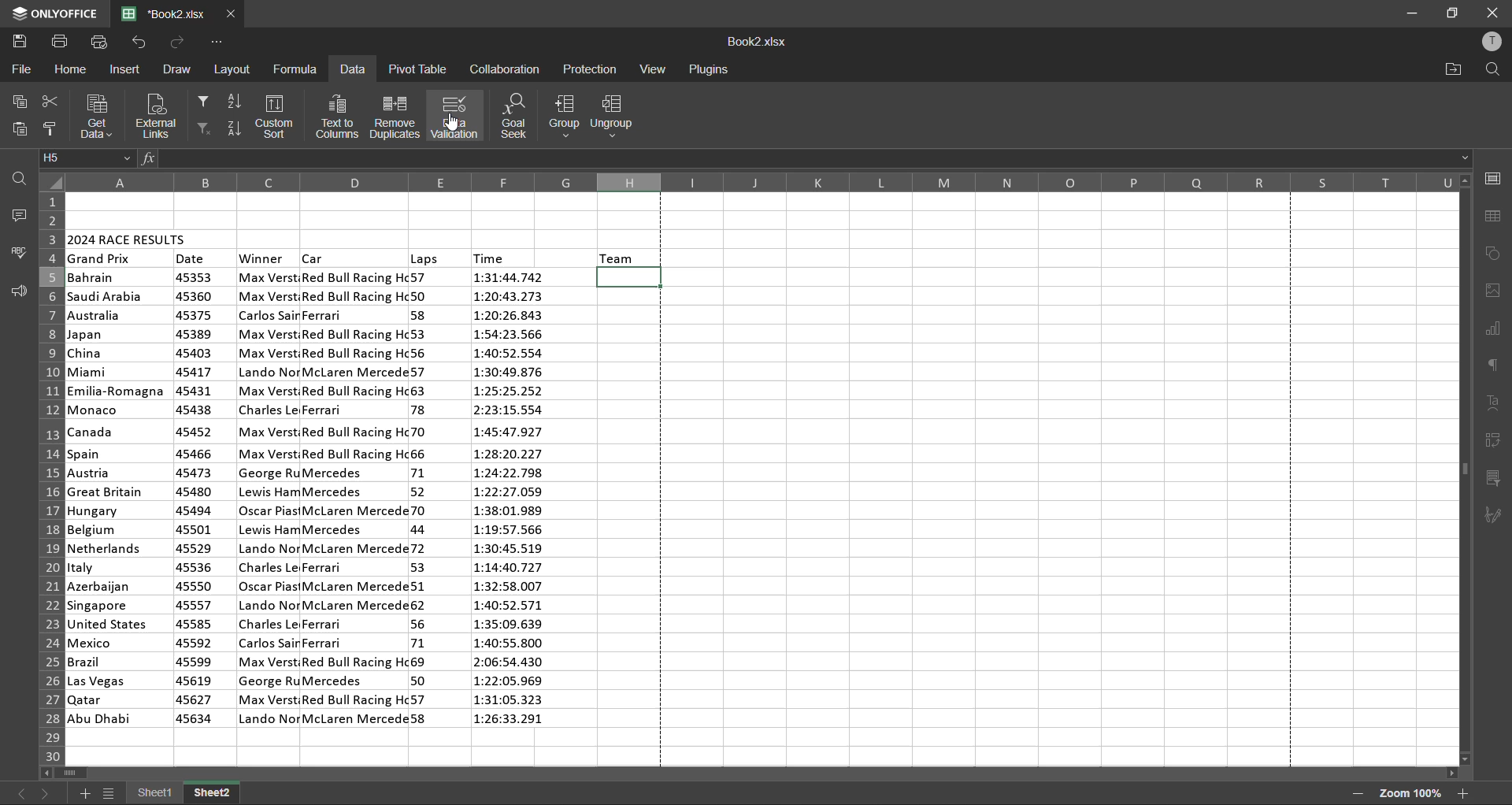  I want to click on zoom factor, so click(1411, 795).